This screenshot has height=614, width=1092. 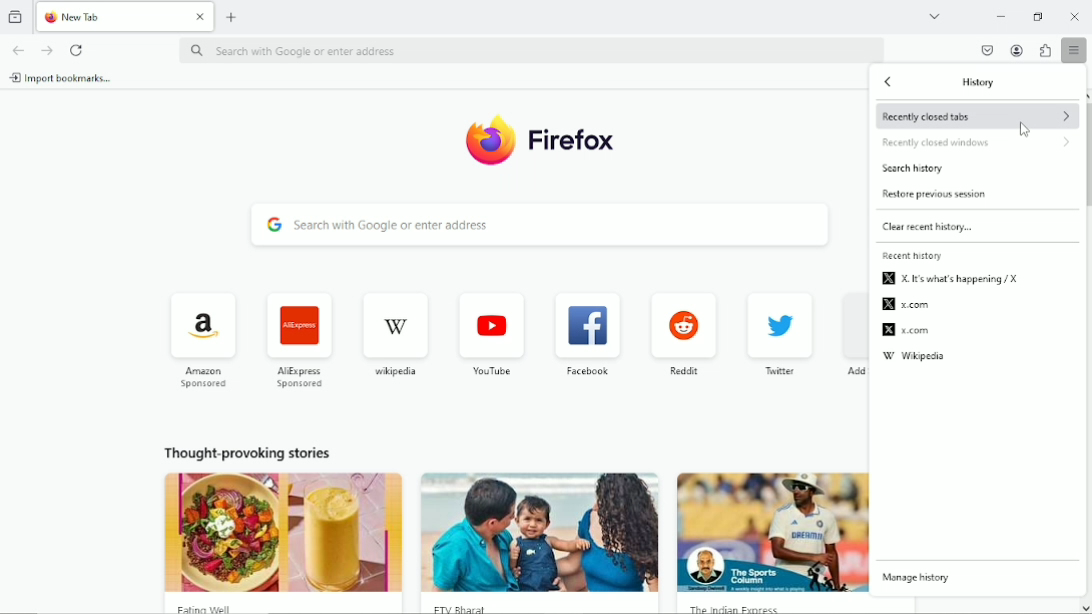 What do you see at coordinates (46, 50) in the screenshot?
I see `go forward` at bounding box center [46, 50].